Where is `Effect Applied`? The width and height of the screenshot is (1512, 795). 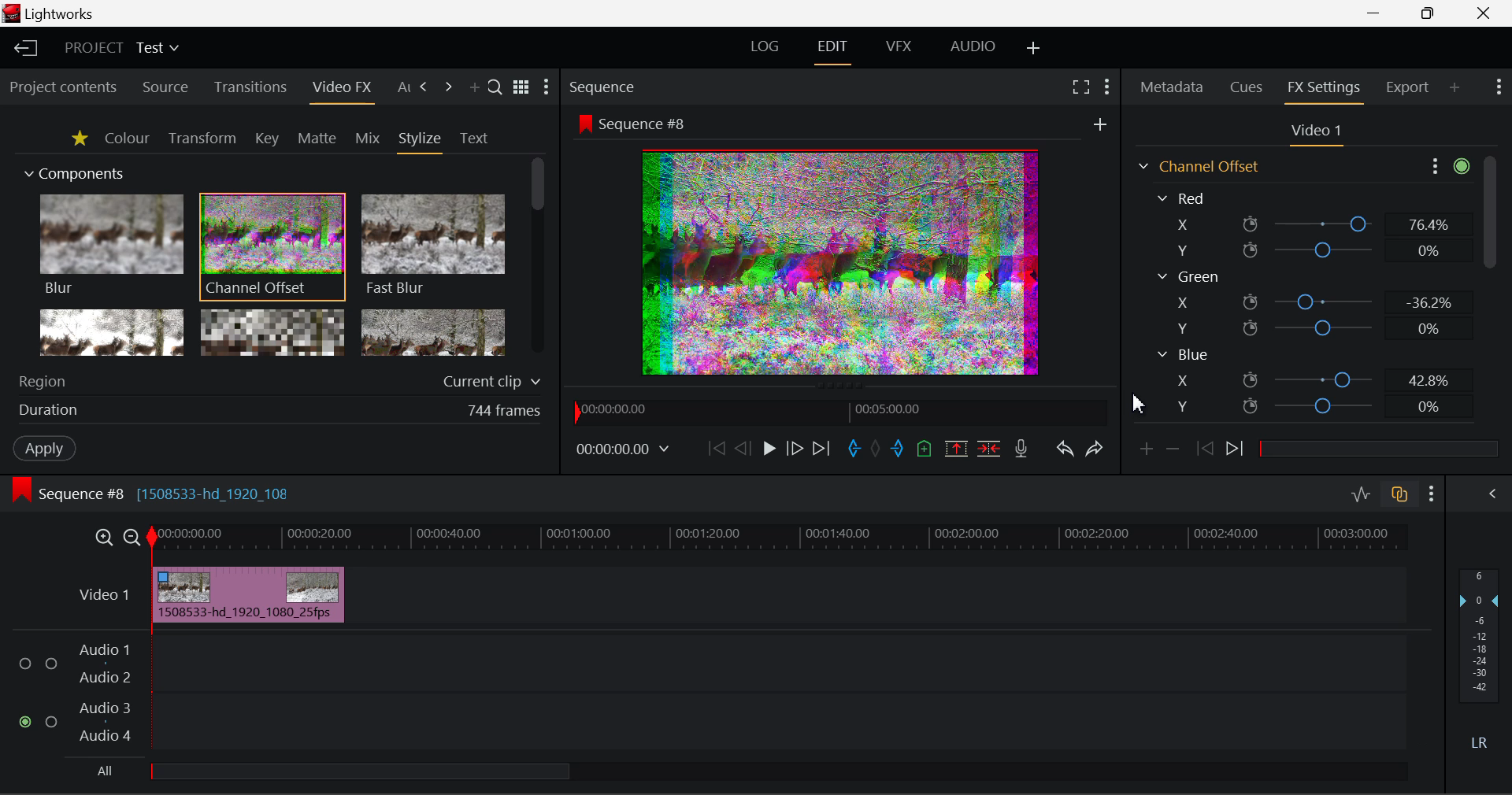 Effect Applied is located at coordinates (250, 592).